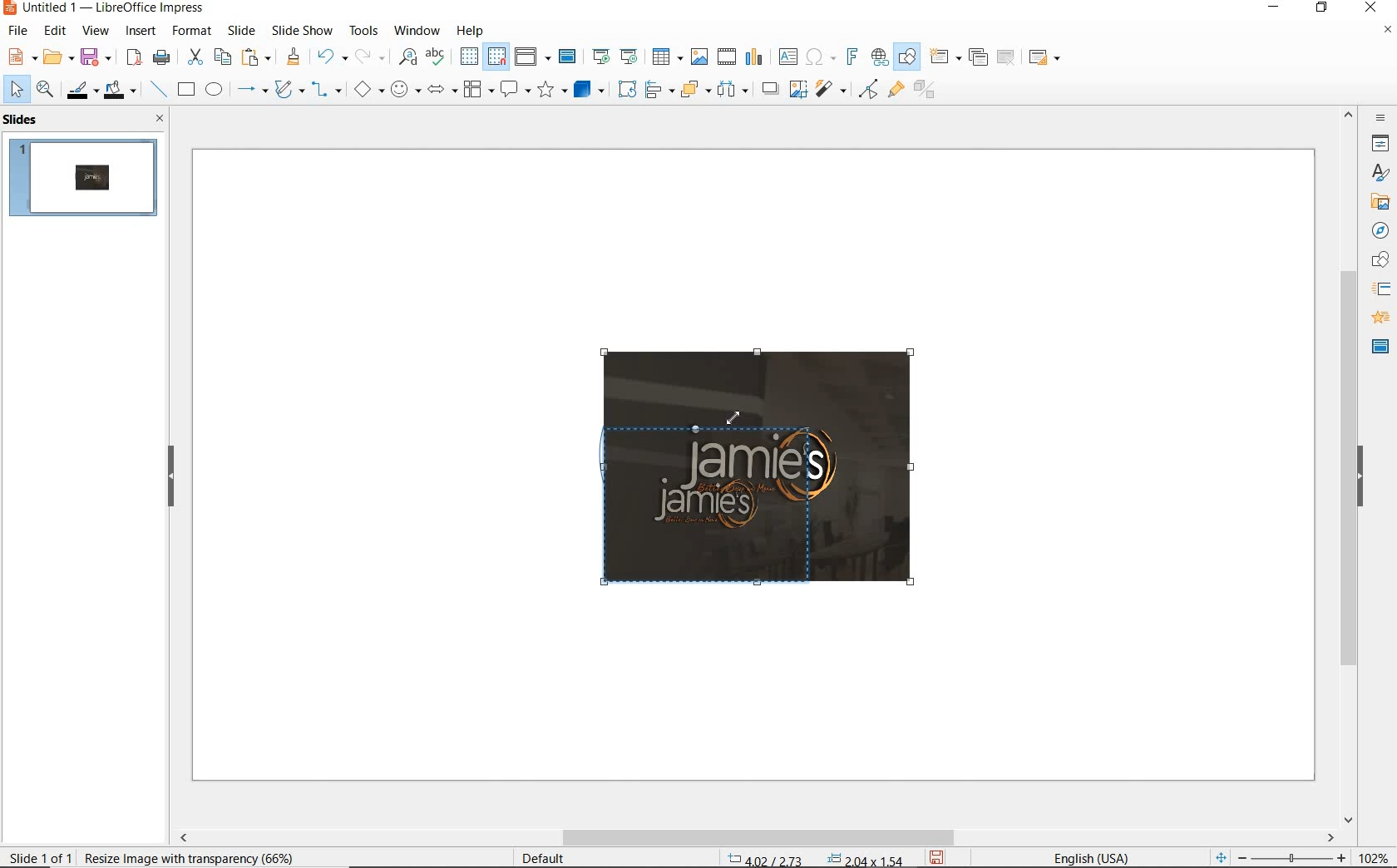 The width and height of the screenshot is (1397, 868). Describe the element at coordinates (892, 91) in the screenshot. I see `show gluepoint functions` at that location.